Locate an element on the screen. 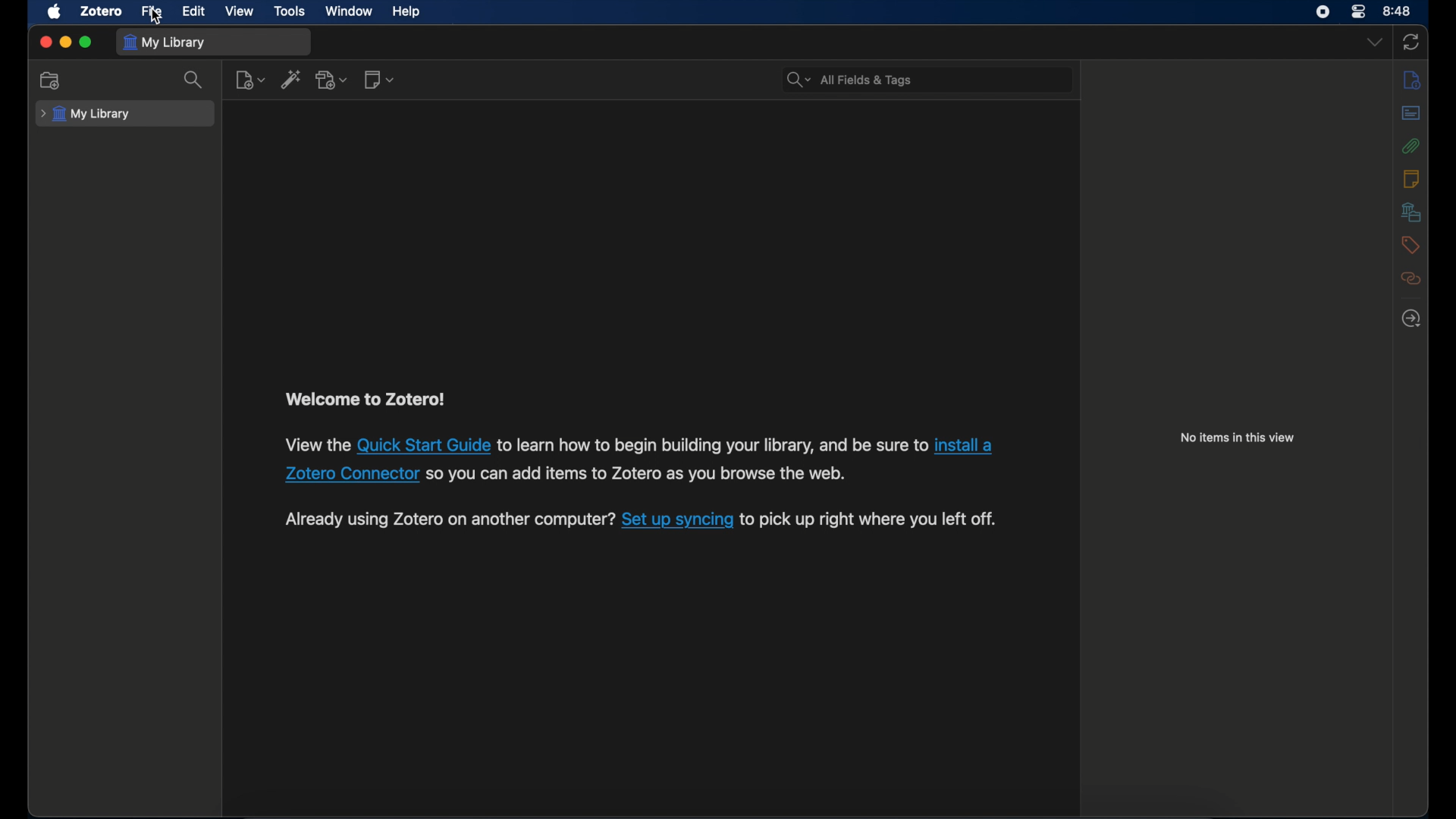 This screenshot has height=819, width=1456. notes is located at coordinates (1410, 178).